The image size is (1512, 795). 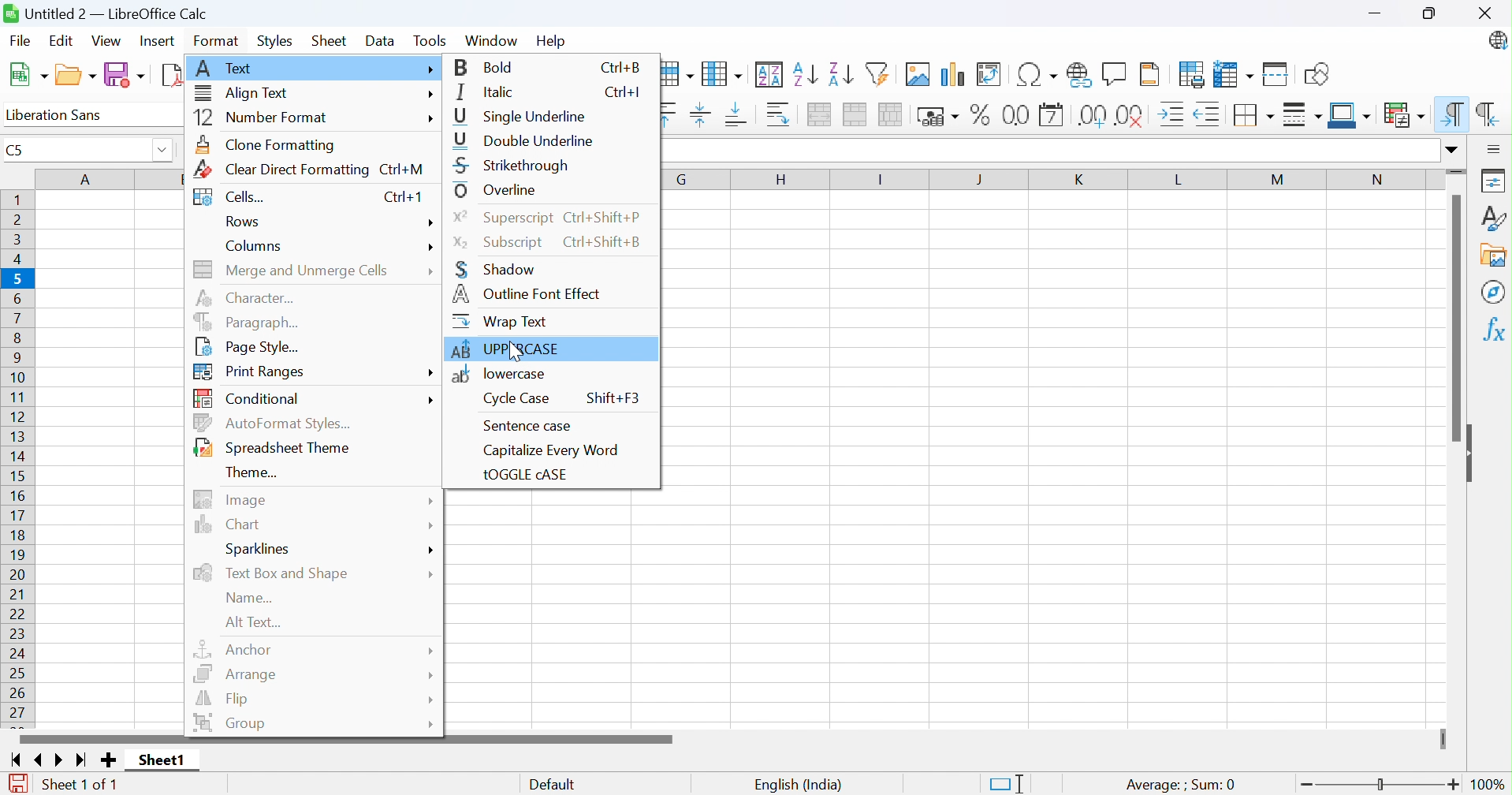 What do you see at coordinates (437, 502) in the screenshot?
I see `More` at bounding box center [437, 502].